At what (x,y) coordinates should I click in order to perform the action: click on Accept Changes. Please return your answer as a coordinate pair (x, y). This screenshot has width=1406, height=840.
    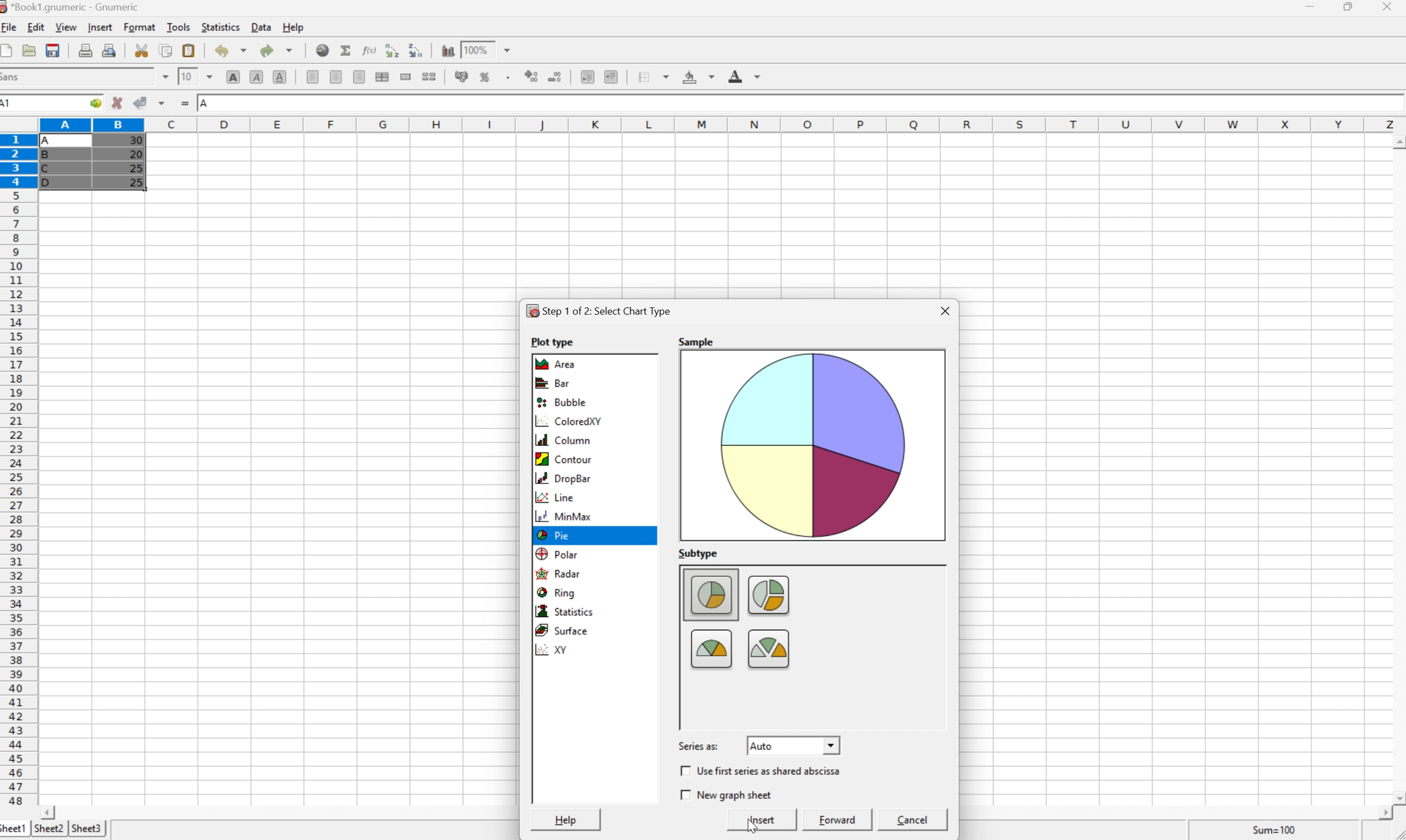
    Looking at the image, I should click on (139, 102).